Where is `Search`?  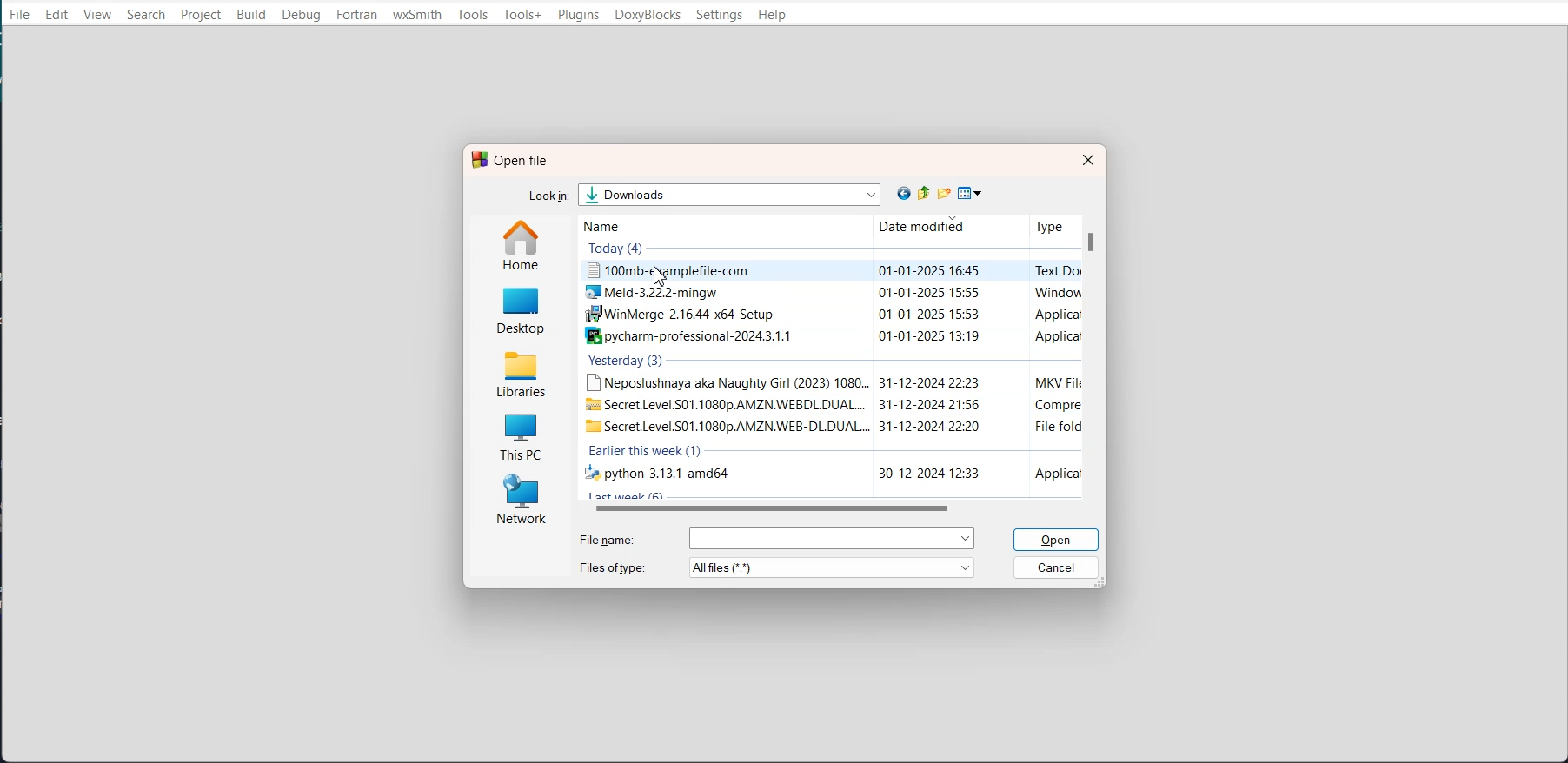 Search is located at coordinates (145, 14).